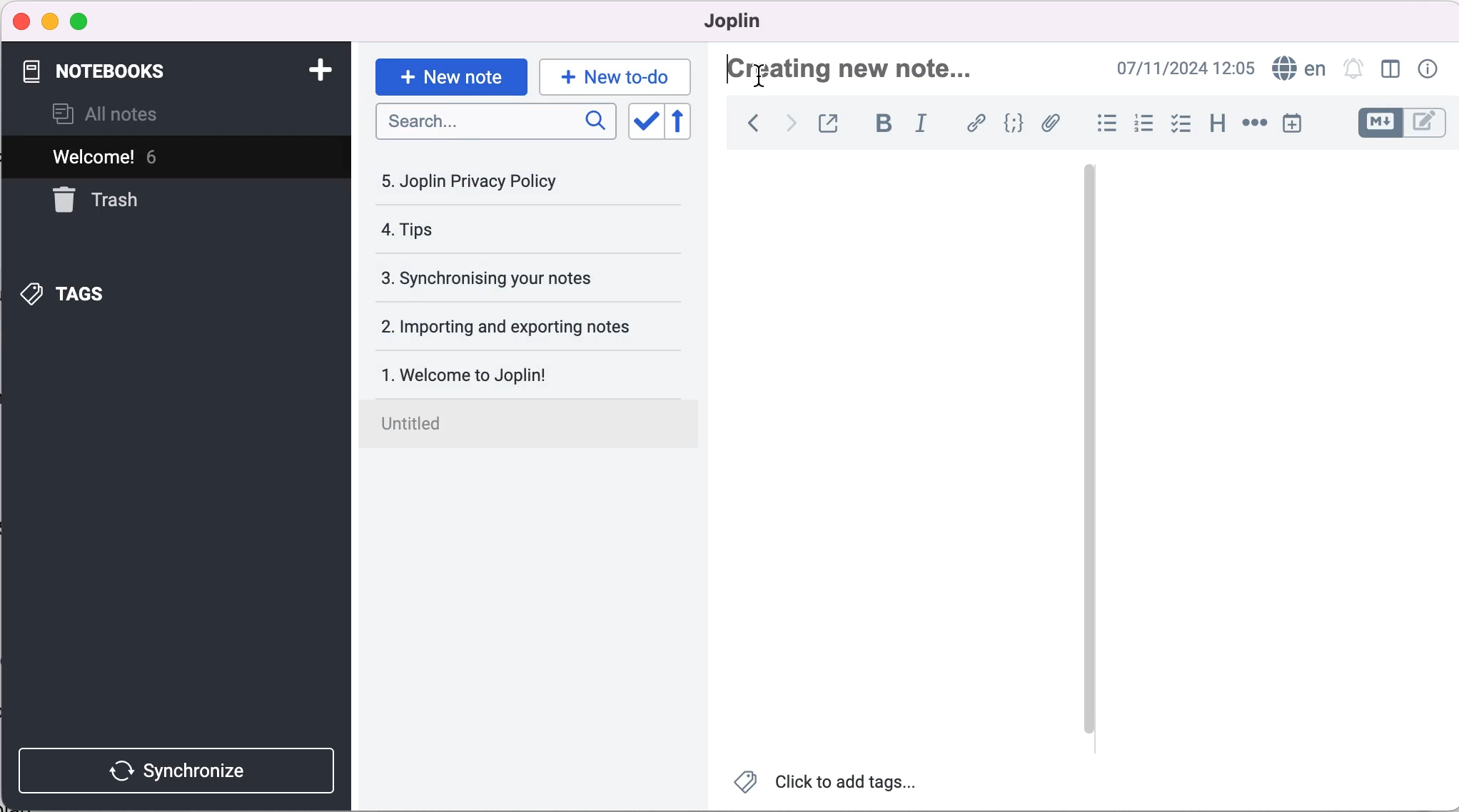 The image size is (1459, 812). I want to click on minimize, so click(50, 21).